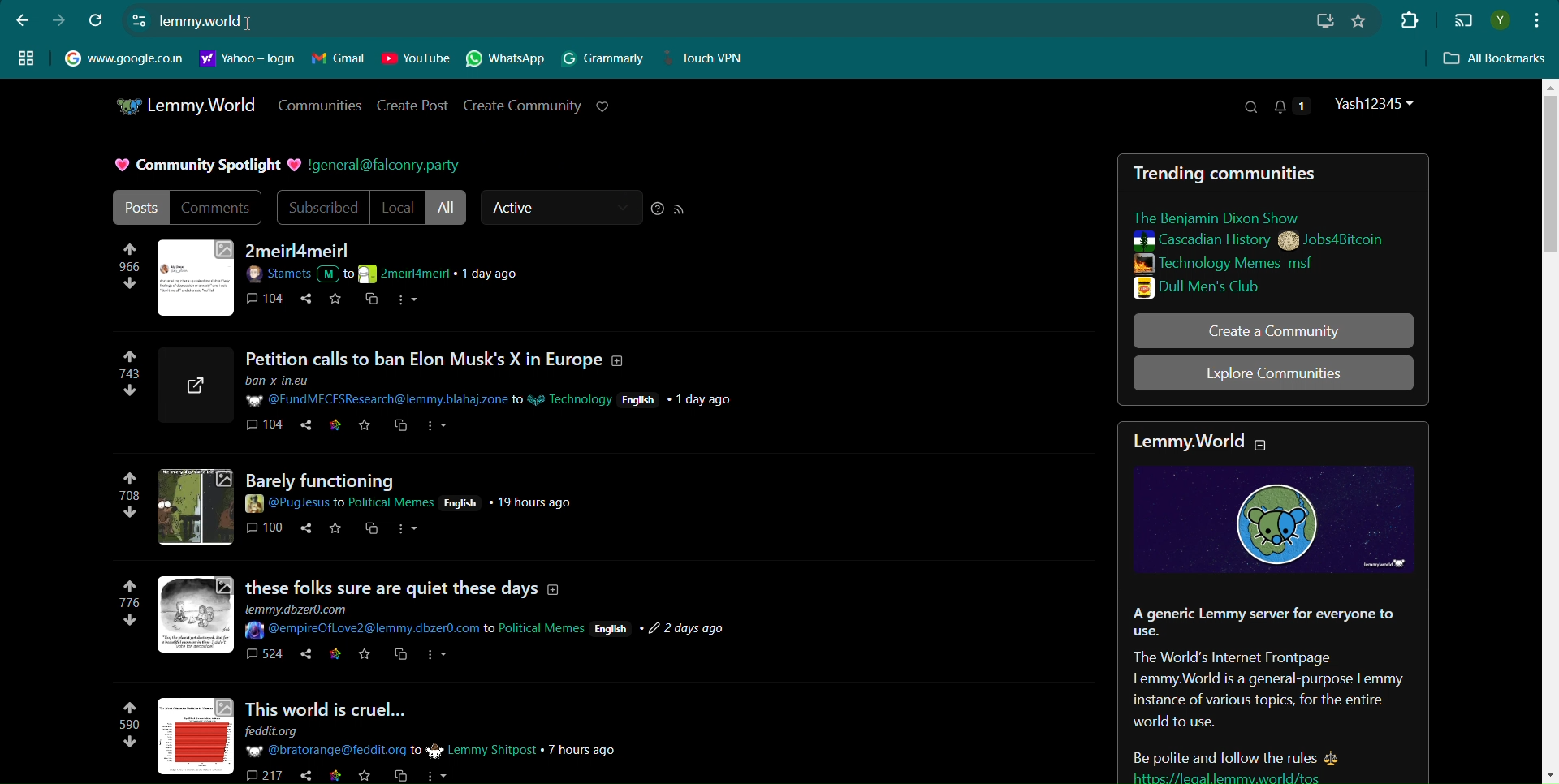 The height and width of the screenshot is (784, 1559). Describe the element at coordinates (337, 427) in the screenshot. I see `star` at that location.